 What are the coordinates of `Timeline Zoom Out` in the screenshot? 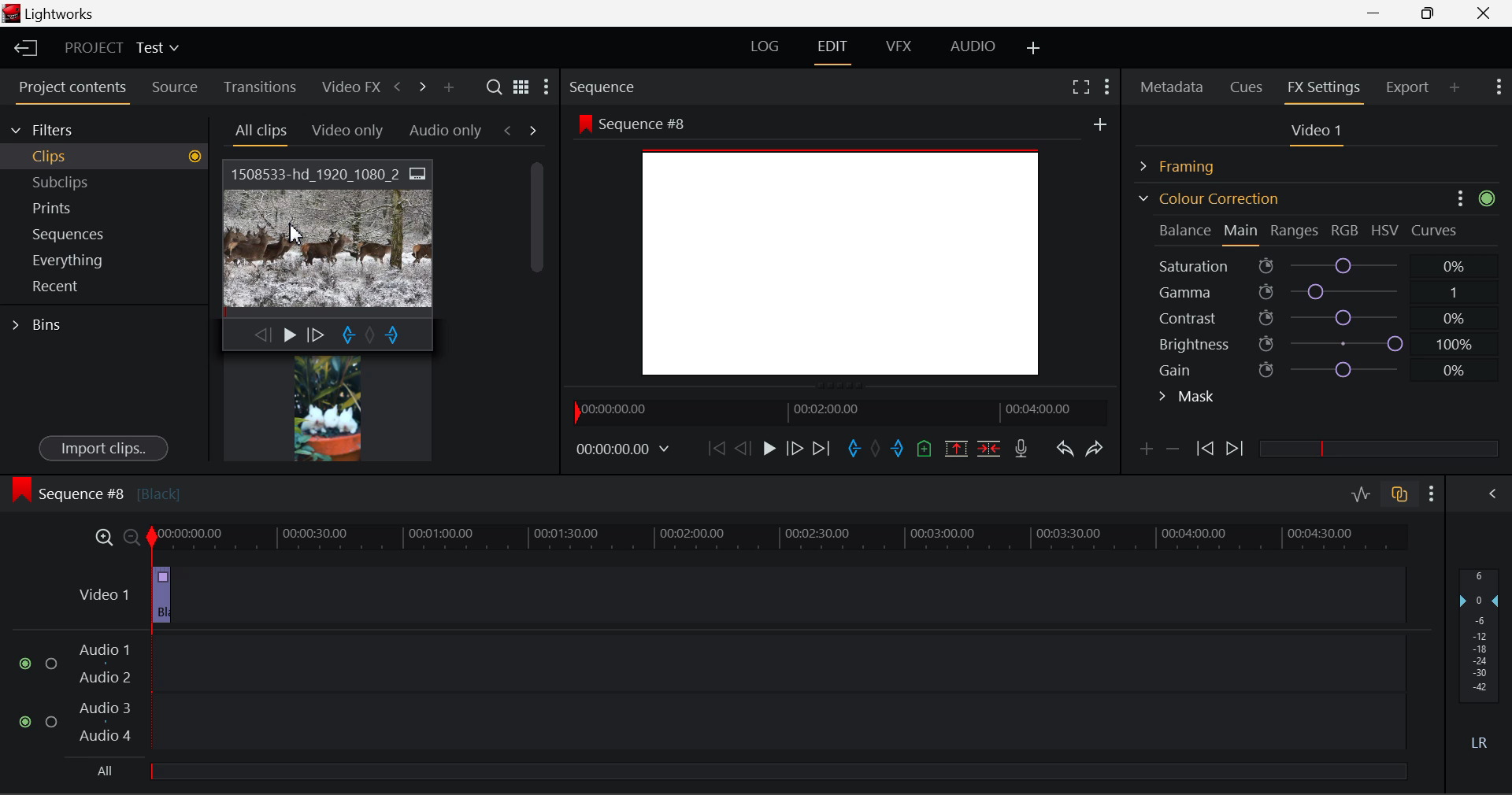 It's located at (131, 537).